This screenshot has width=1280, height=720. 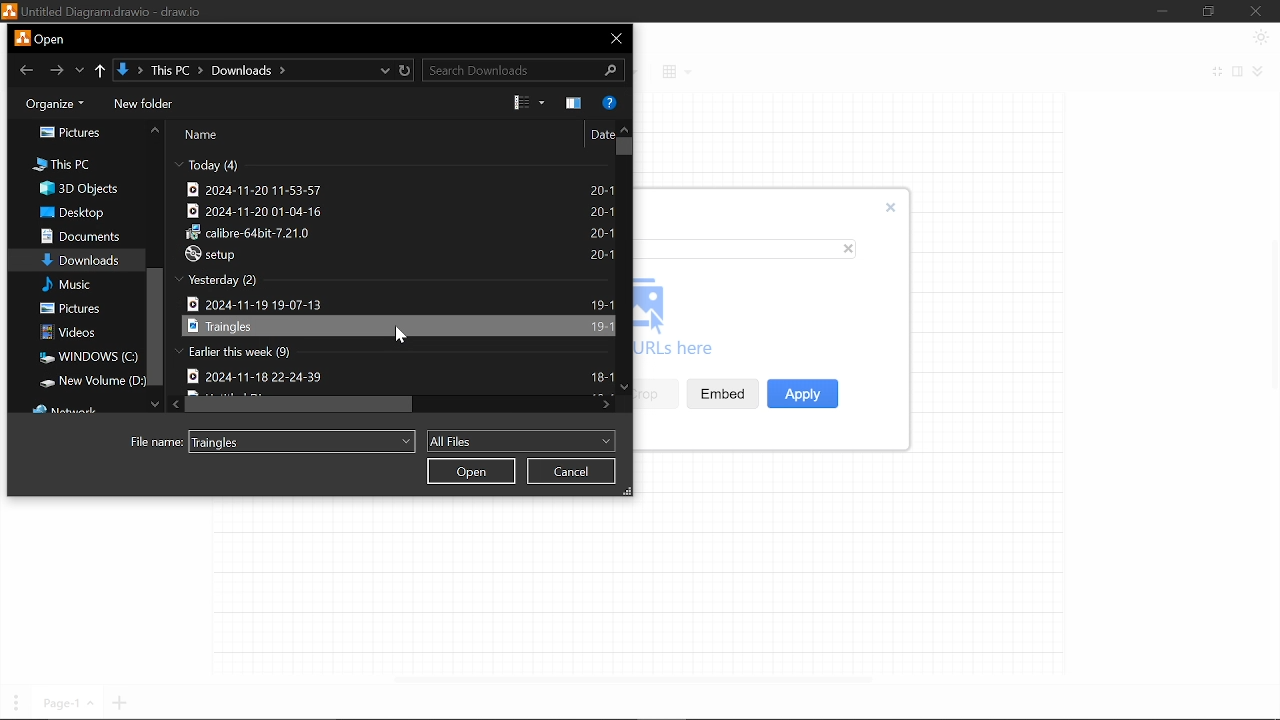 I want to click on Desktop, so click(x=74, y=212).